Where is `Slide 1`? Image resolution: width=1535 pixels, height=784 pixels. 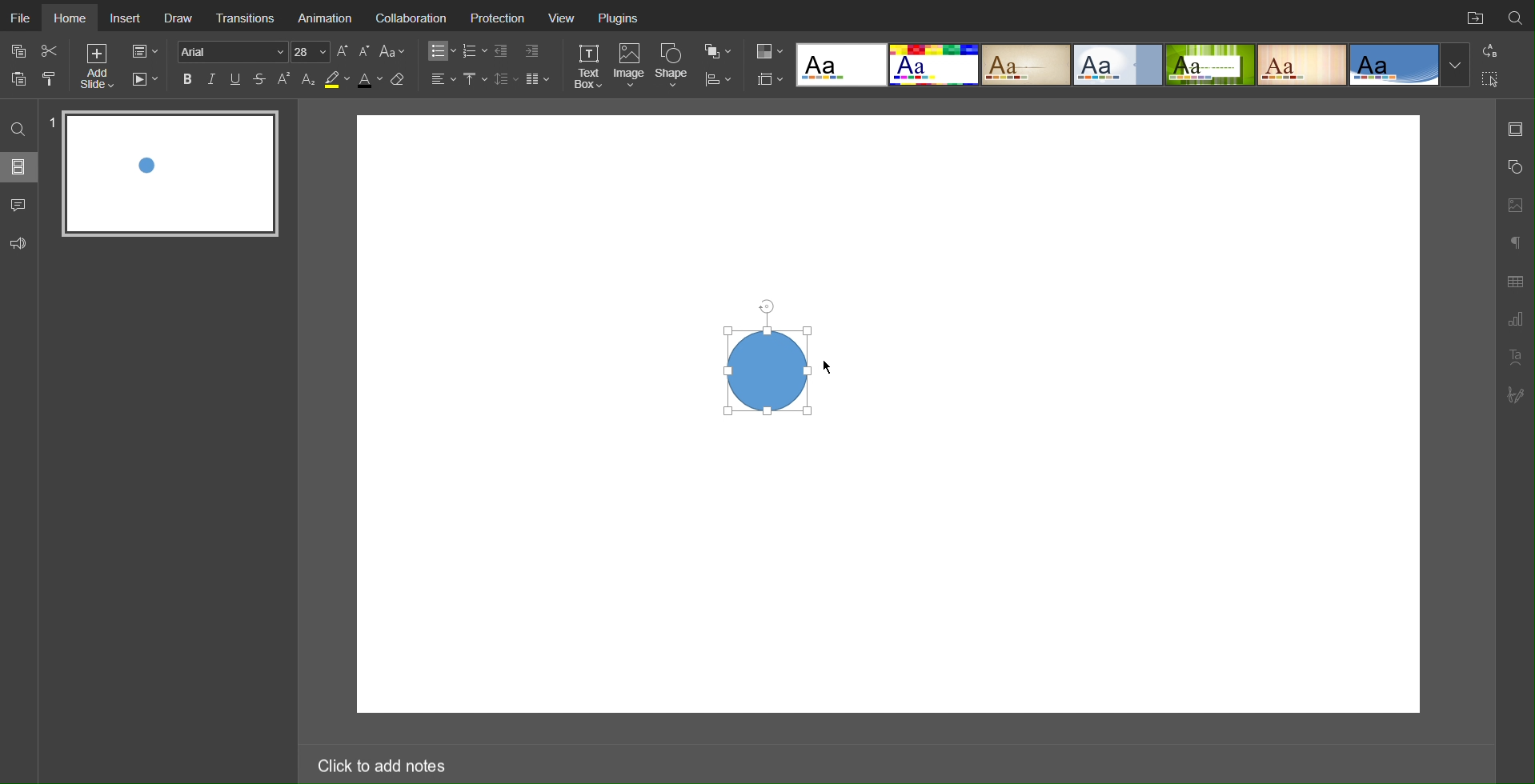 Slide 1 is located at coordinates (171, 174).